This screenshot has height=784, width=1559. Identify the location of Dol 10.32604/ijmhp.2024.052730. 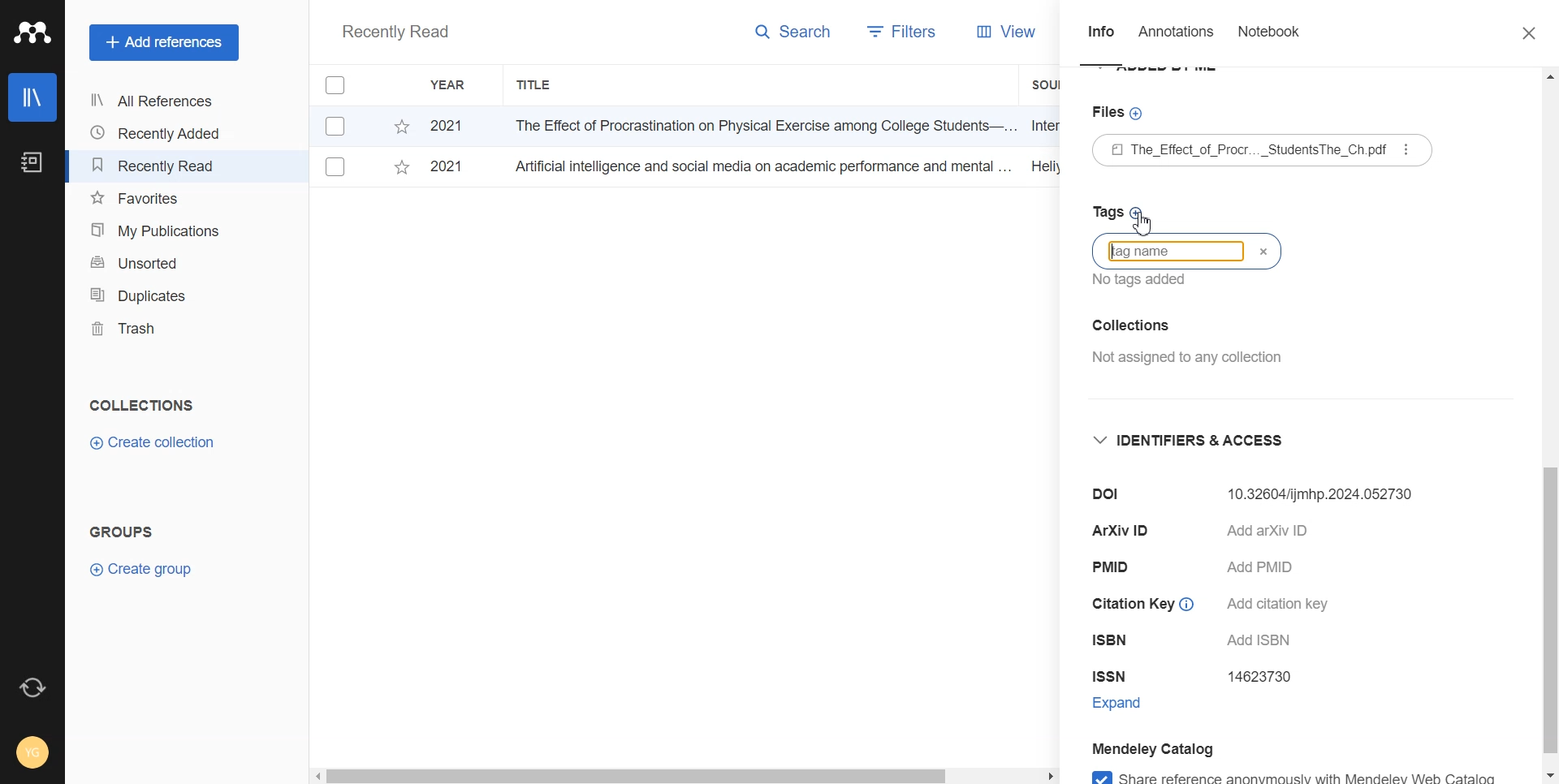
(1253, 493).